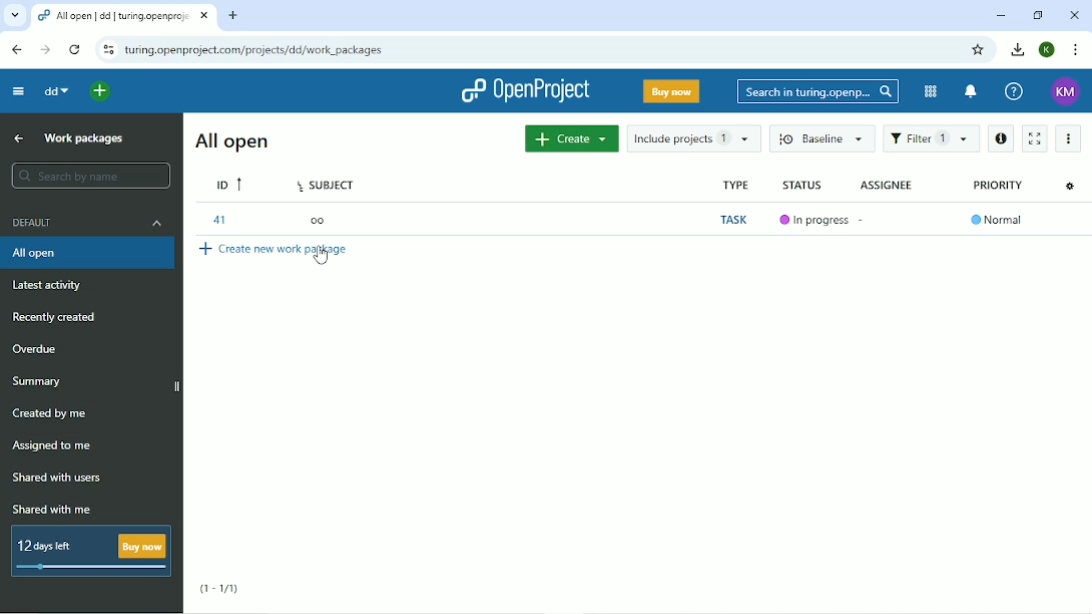  I want to click on Current tab, so click(124, 16).